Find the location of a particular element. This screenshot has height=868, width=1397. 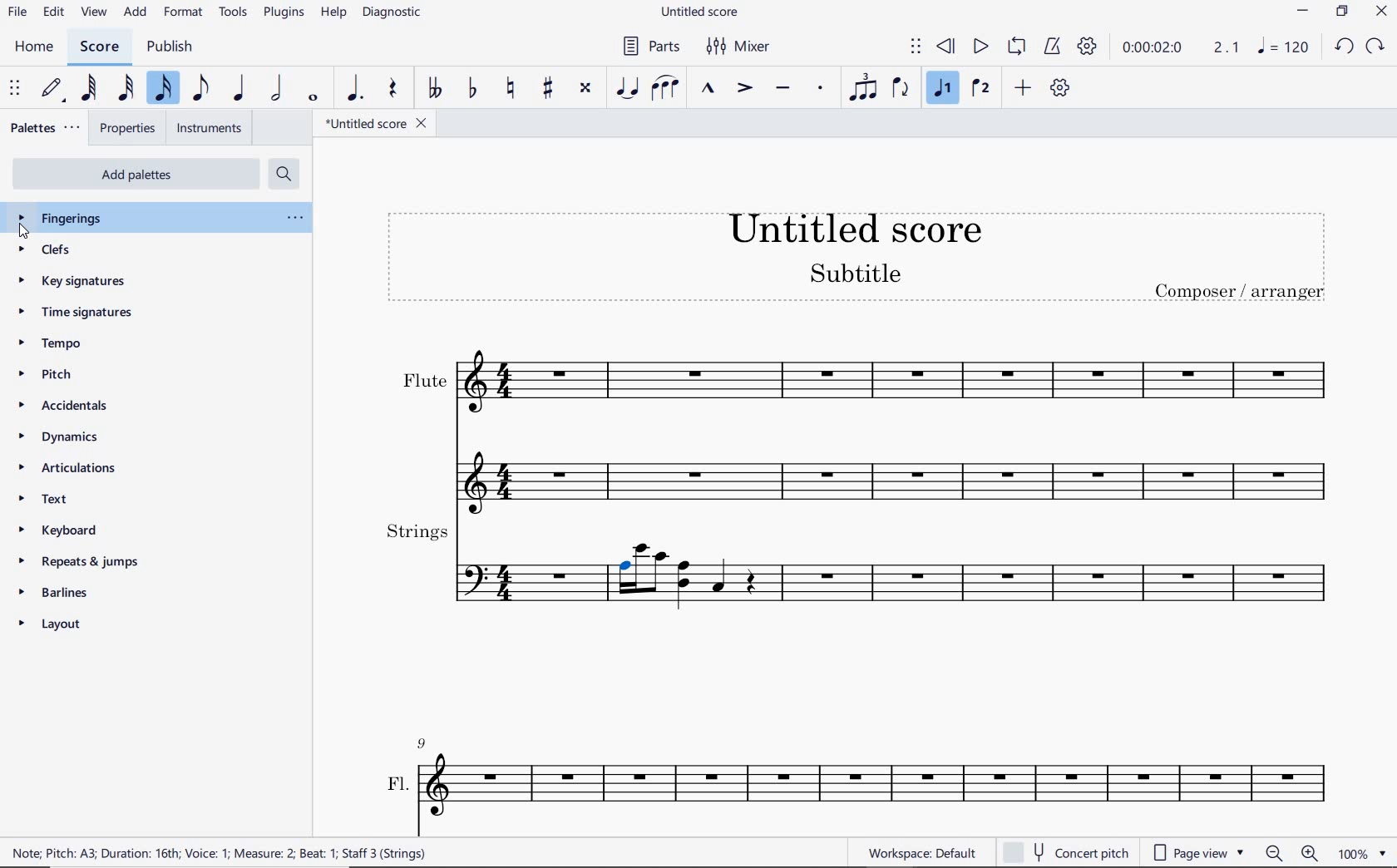

eighth note is located at coordinates (199, 88).